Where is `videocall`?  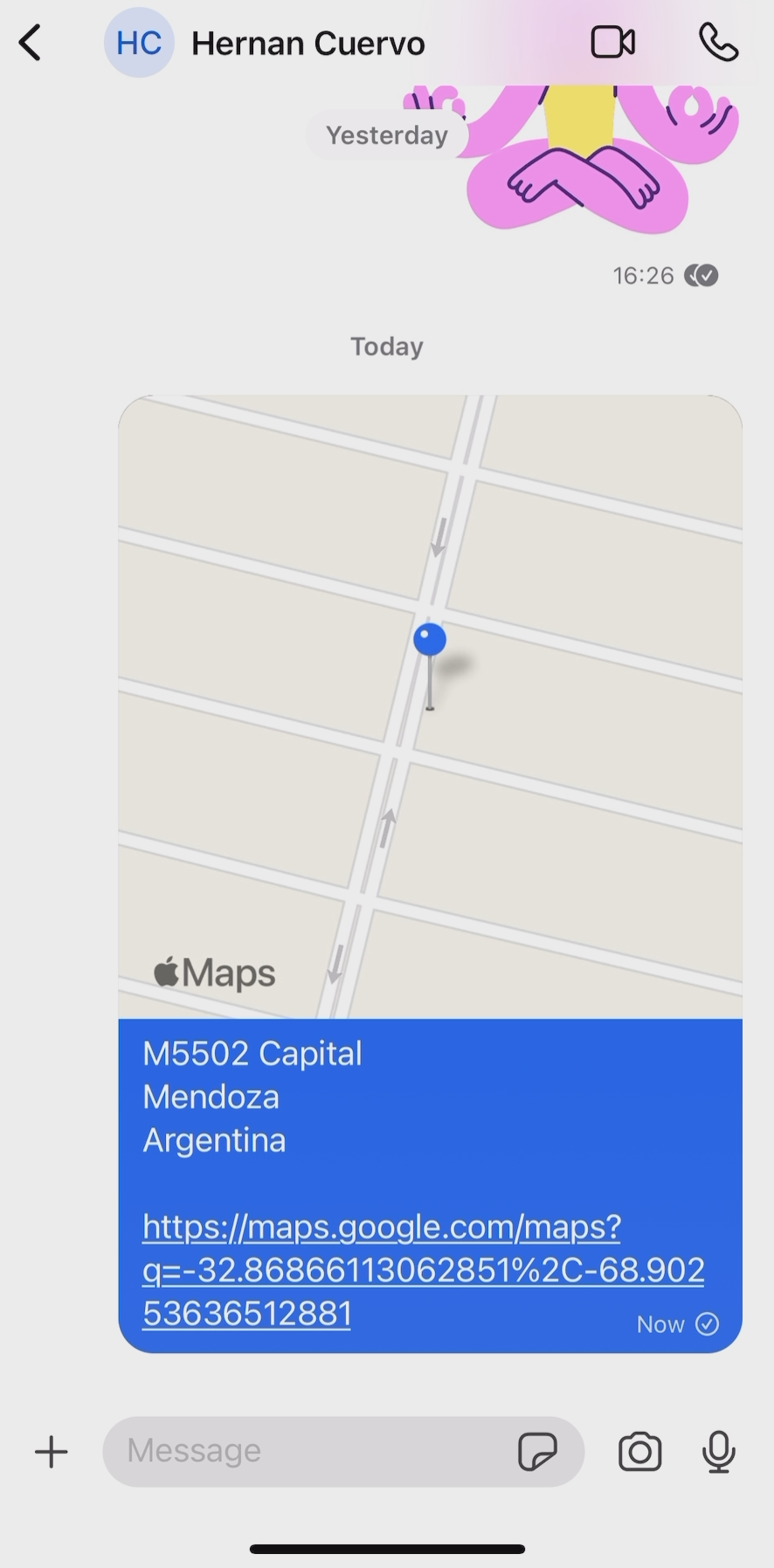
videocall is located at coordinates (613, 40).